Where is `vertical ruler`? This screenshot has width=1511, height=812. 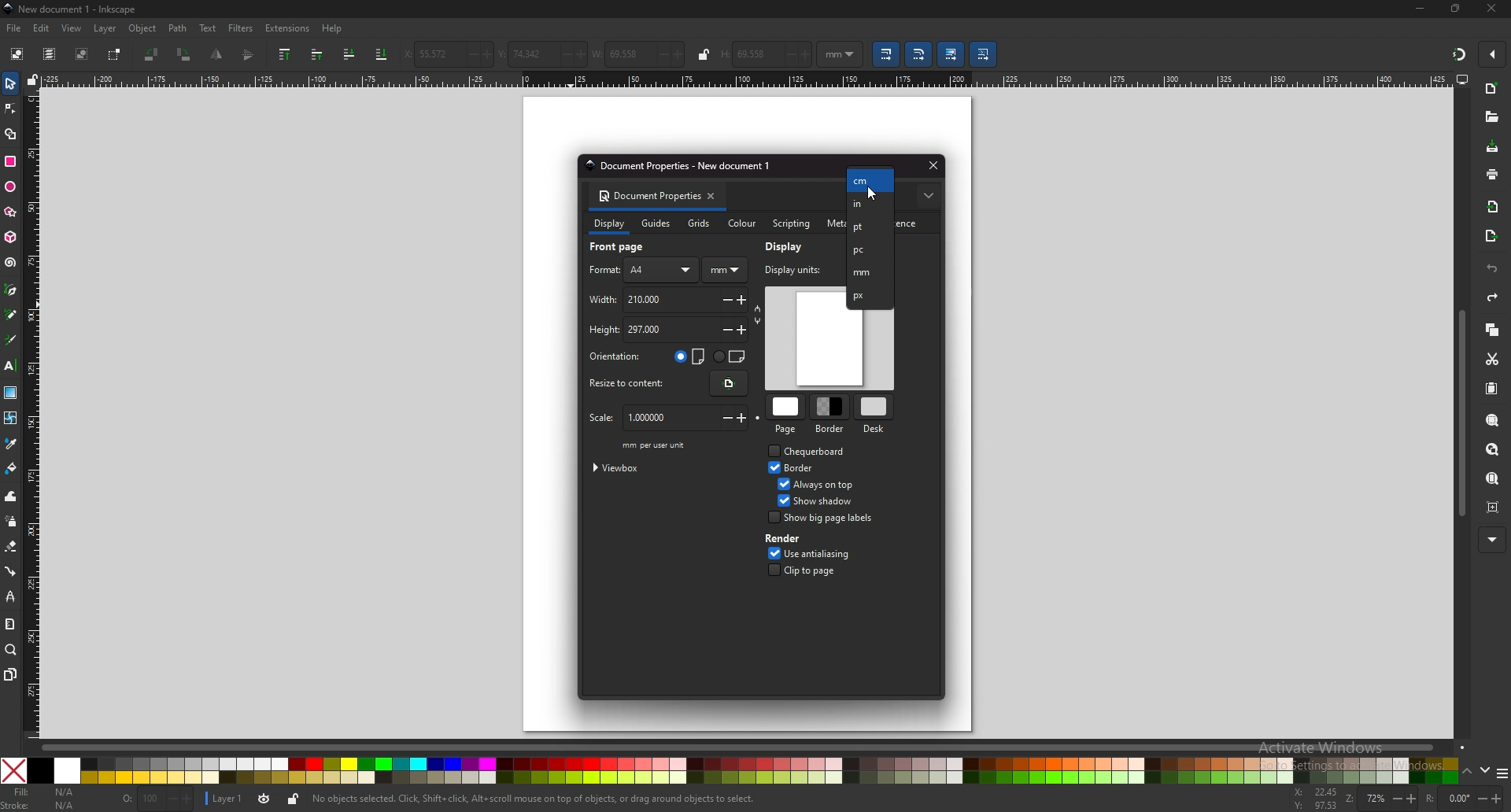 vertical ruler is located at coordinates (31, 412).